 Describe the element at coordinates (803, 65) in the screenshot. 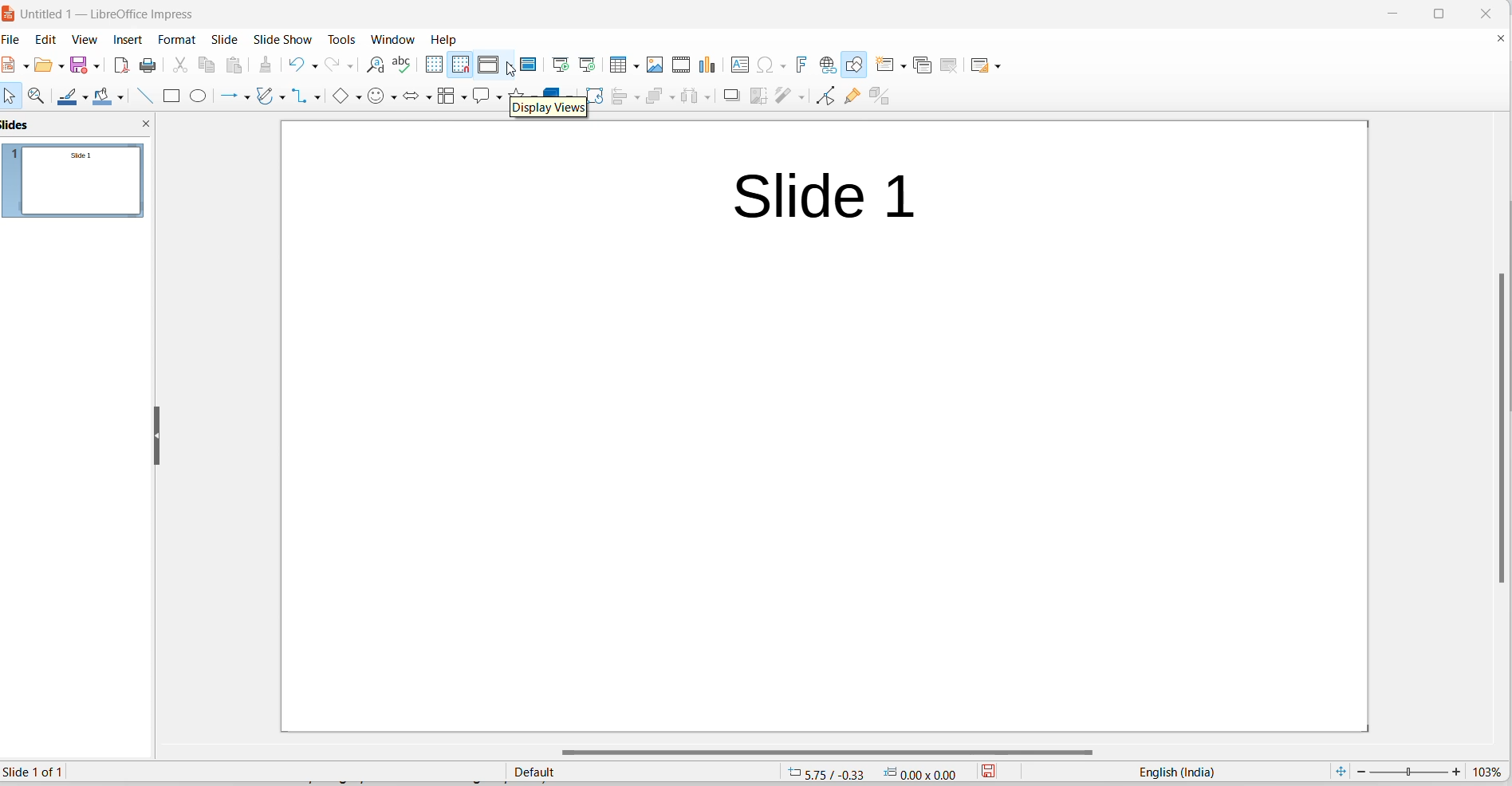

I see `insert fontwork text` at that location.